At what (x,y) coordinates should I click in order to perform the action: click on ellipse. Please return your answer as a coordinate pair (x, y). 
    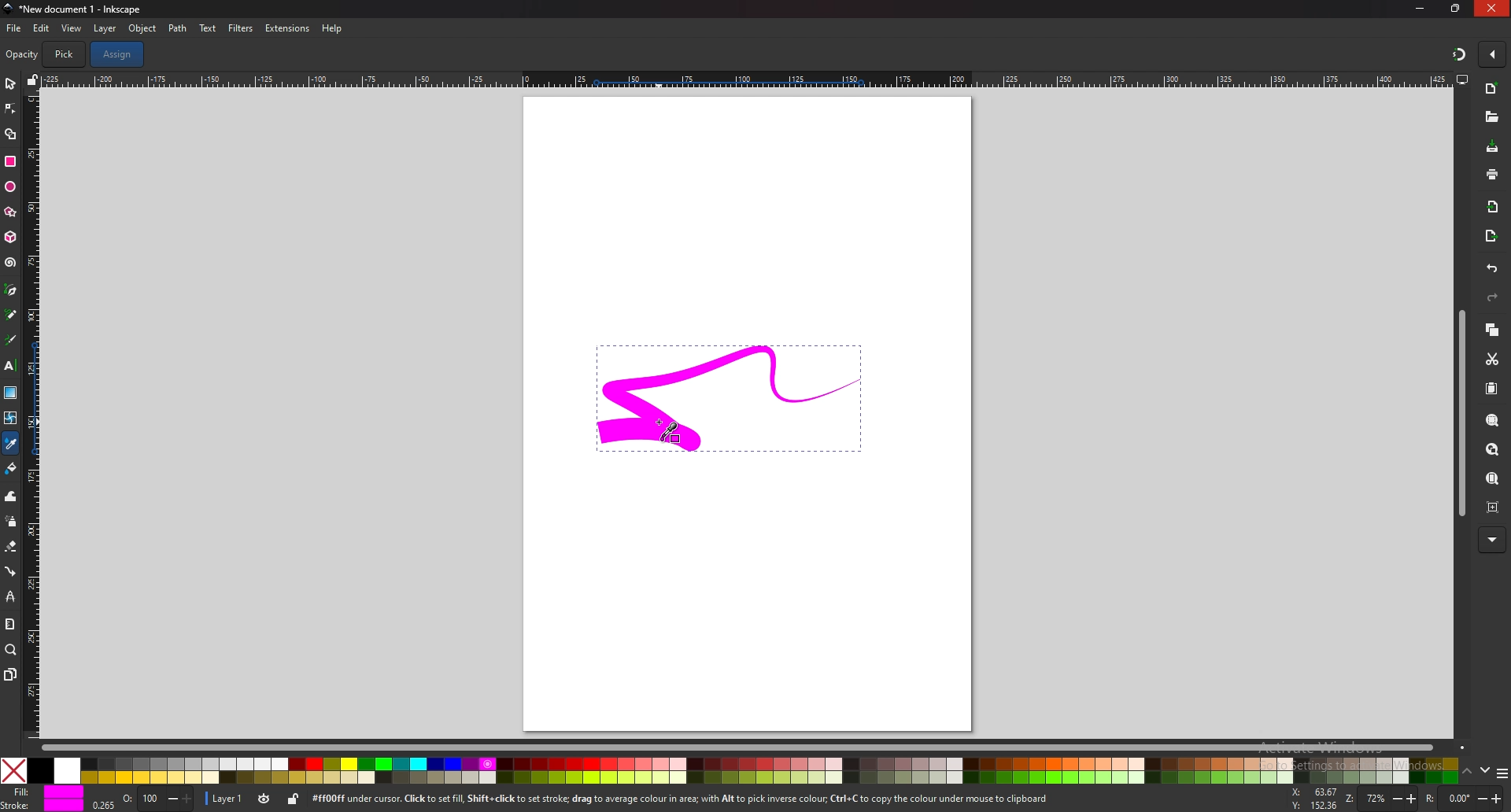
    Looking at the image, I should click on (10, 187).